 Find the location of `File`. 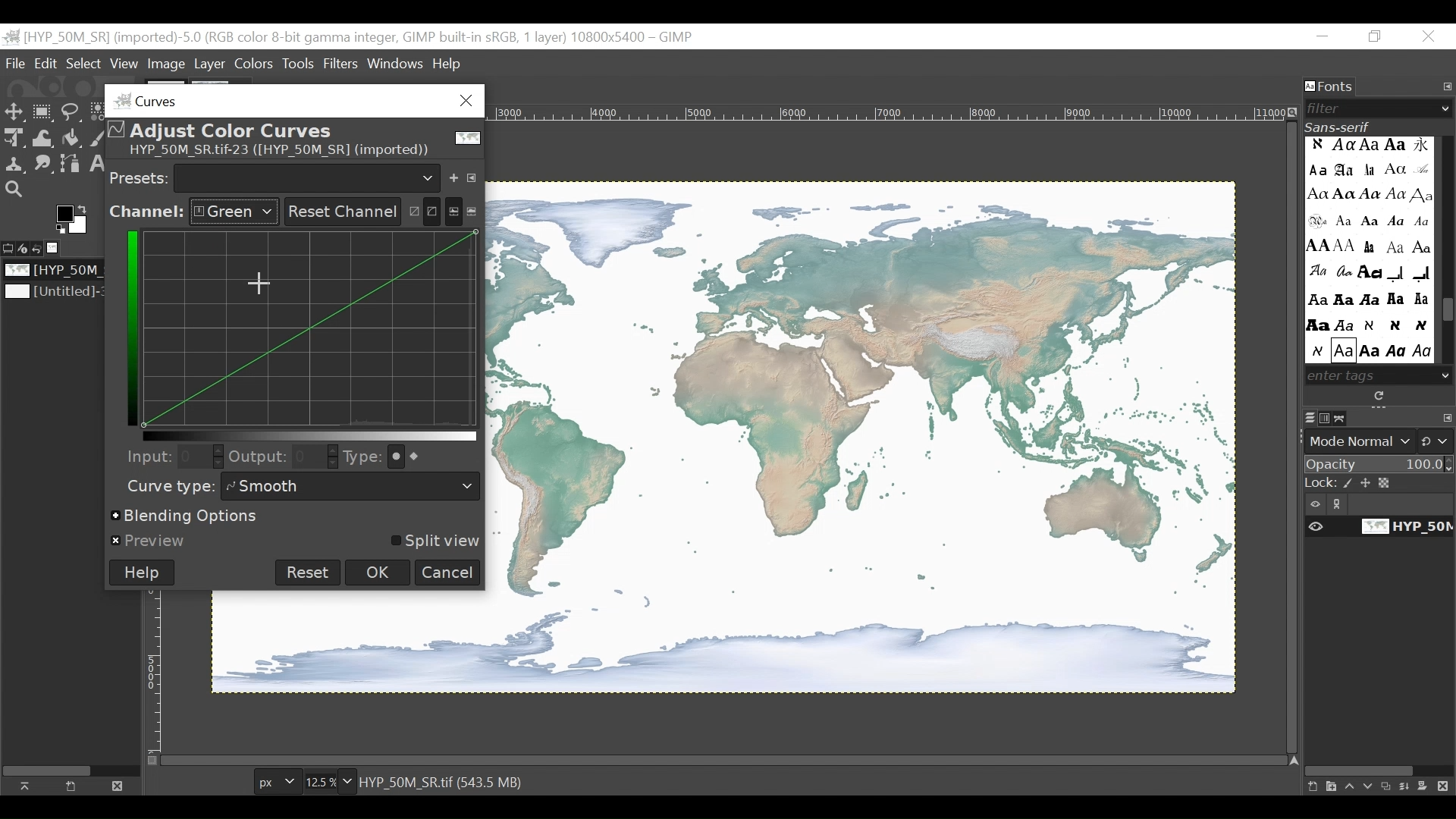

File is located at coordinates (17, 63).